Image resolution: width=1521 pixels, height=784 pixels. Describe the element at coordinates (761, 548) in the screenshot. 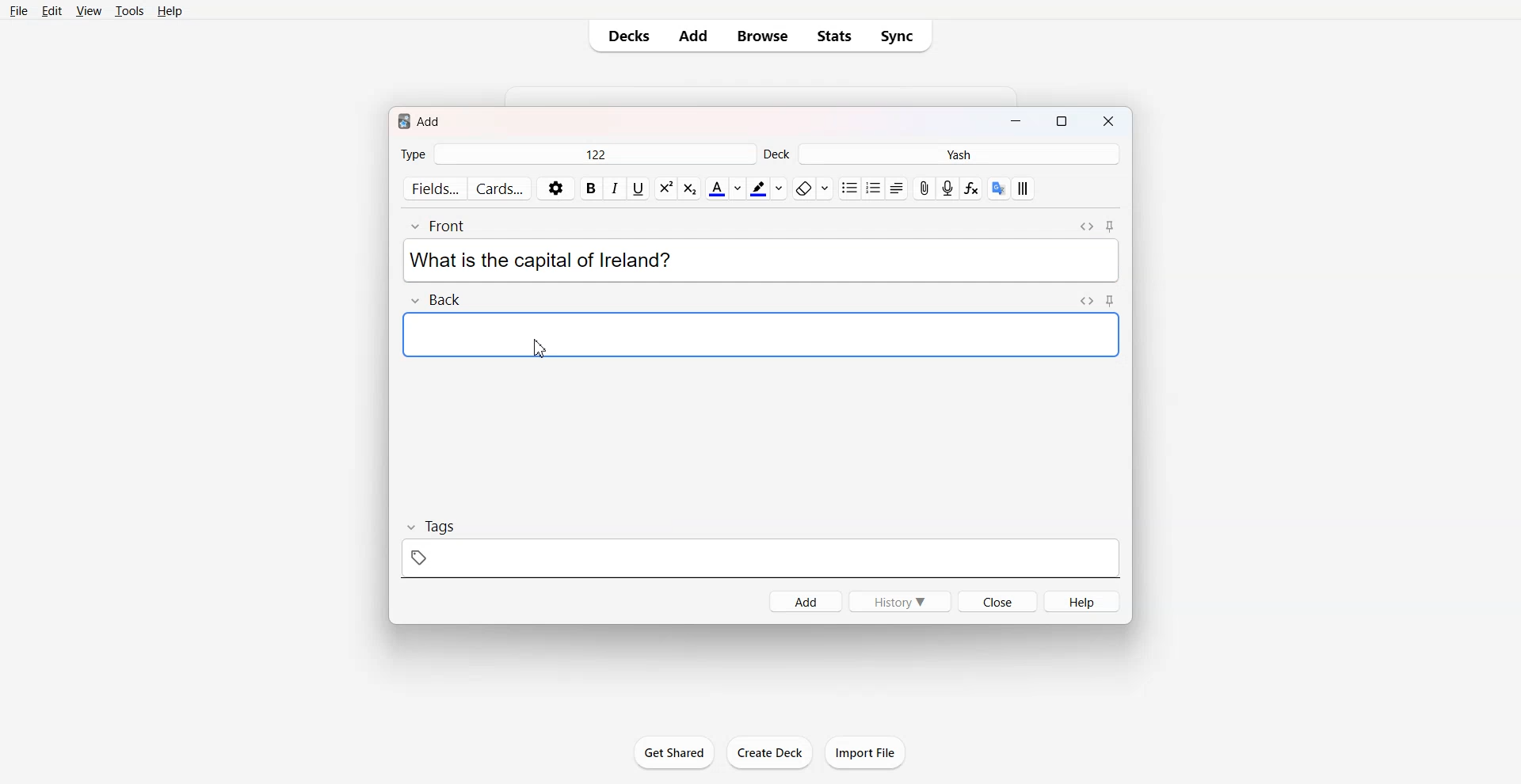

I see `Tags` at that location.